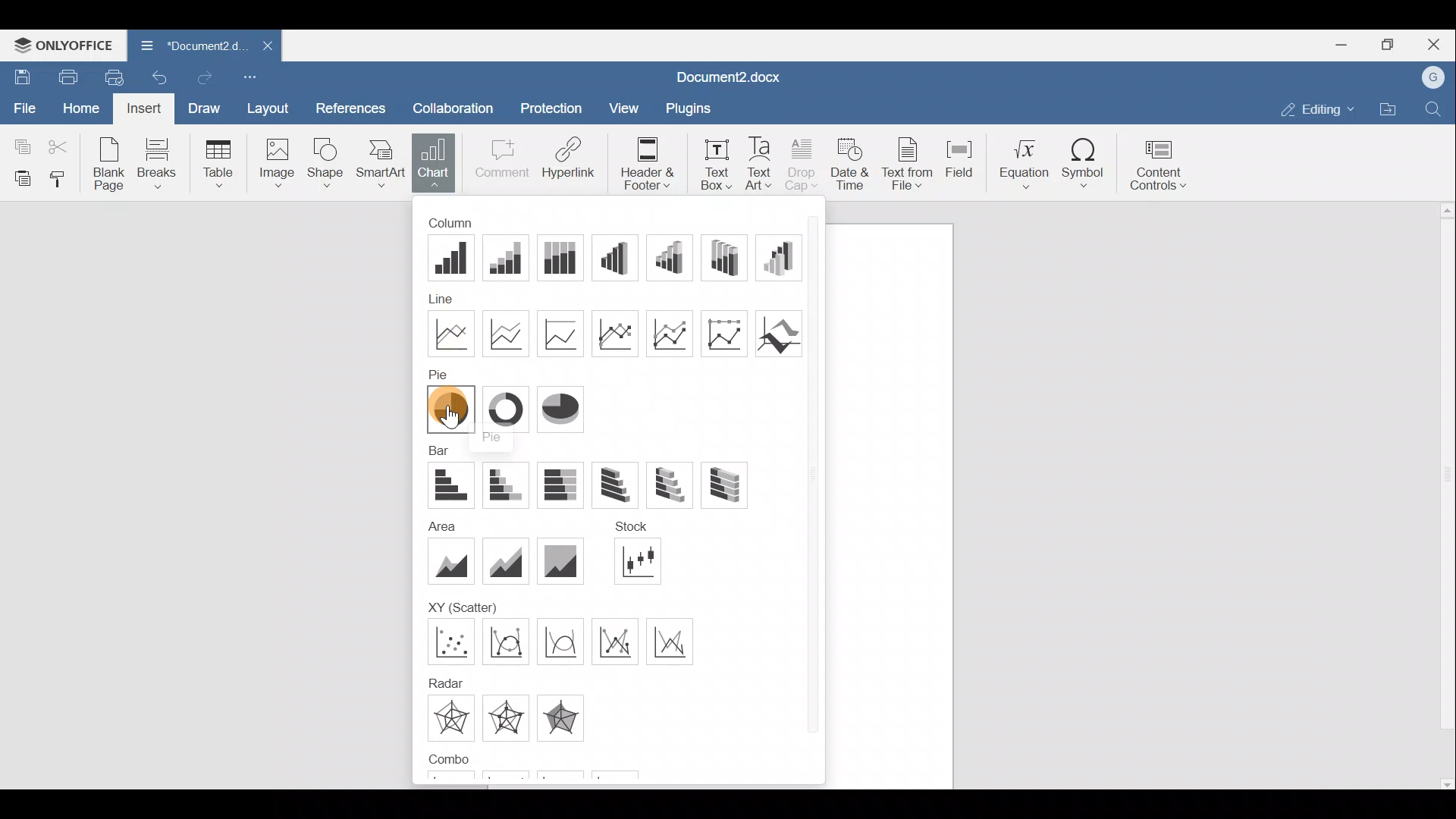 This screenshot has width=1456, height=819. Describe the element at coordinates (349, 108) in the screenshot. I see `References` at that location.